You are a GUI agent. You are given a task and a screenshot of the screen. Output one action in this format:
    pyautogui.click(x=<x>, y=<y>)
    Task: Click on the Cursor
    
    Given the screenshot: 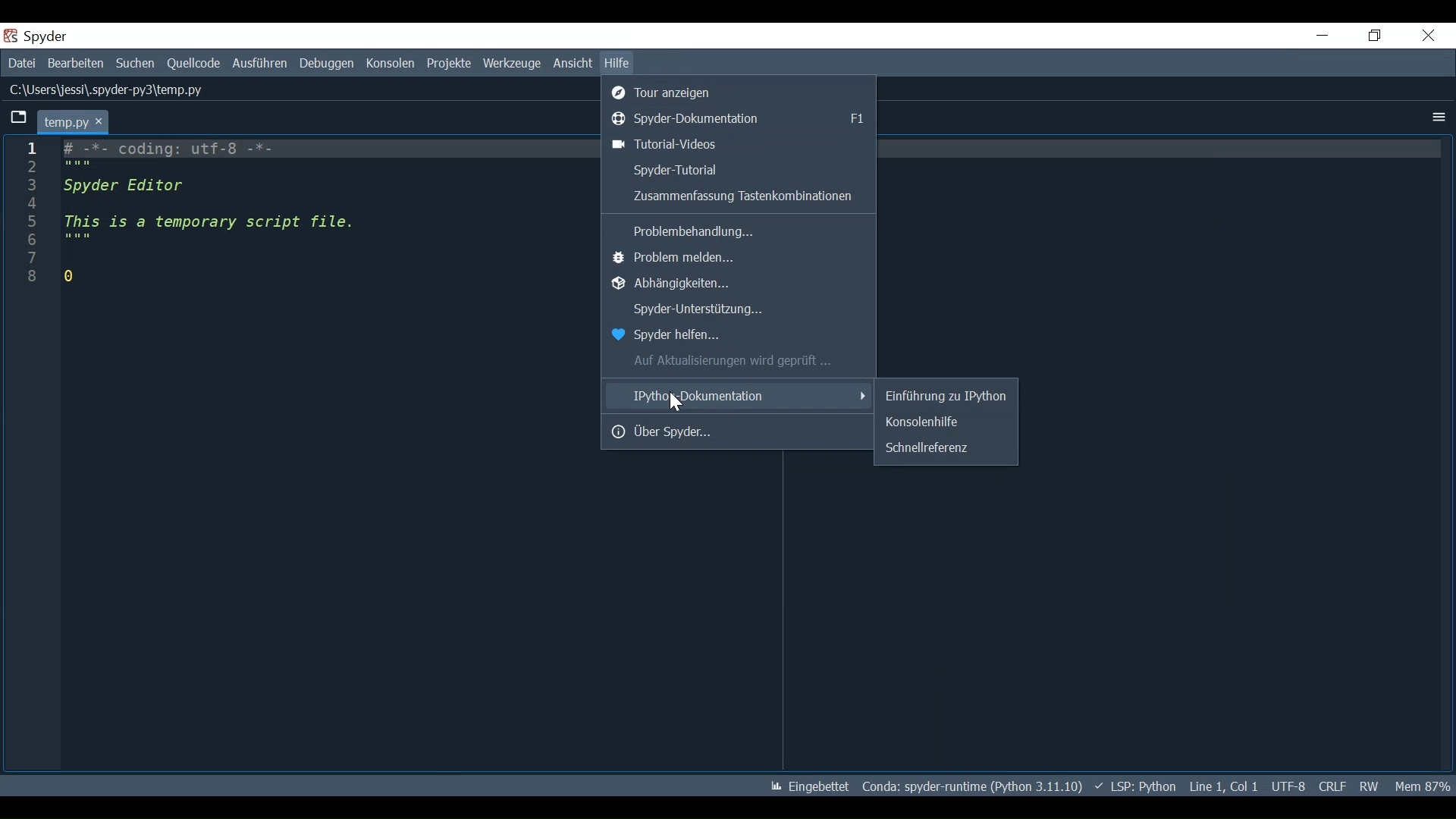 What is the action you would take?
    pyautogui.click(x=677, y=402)
    